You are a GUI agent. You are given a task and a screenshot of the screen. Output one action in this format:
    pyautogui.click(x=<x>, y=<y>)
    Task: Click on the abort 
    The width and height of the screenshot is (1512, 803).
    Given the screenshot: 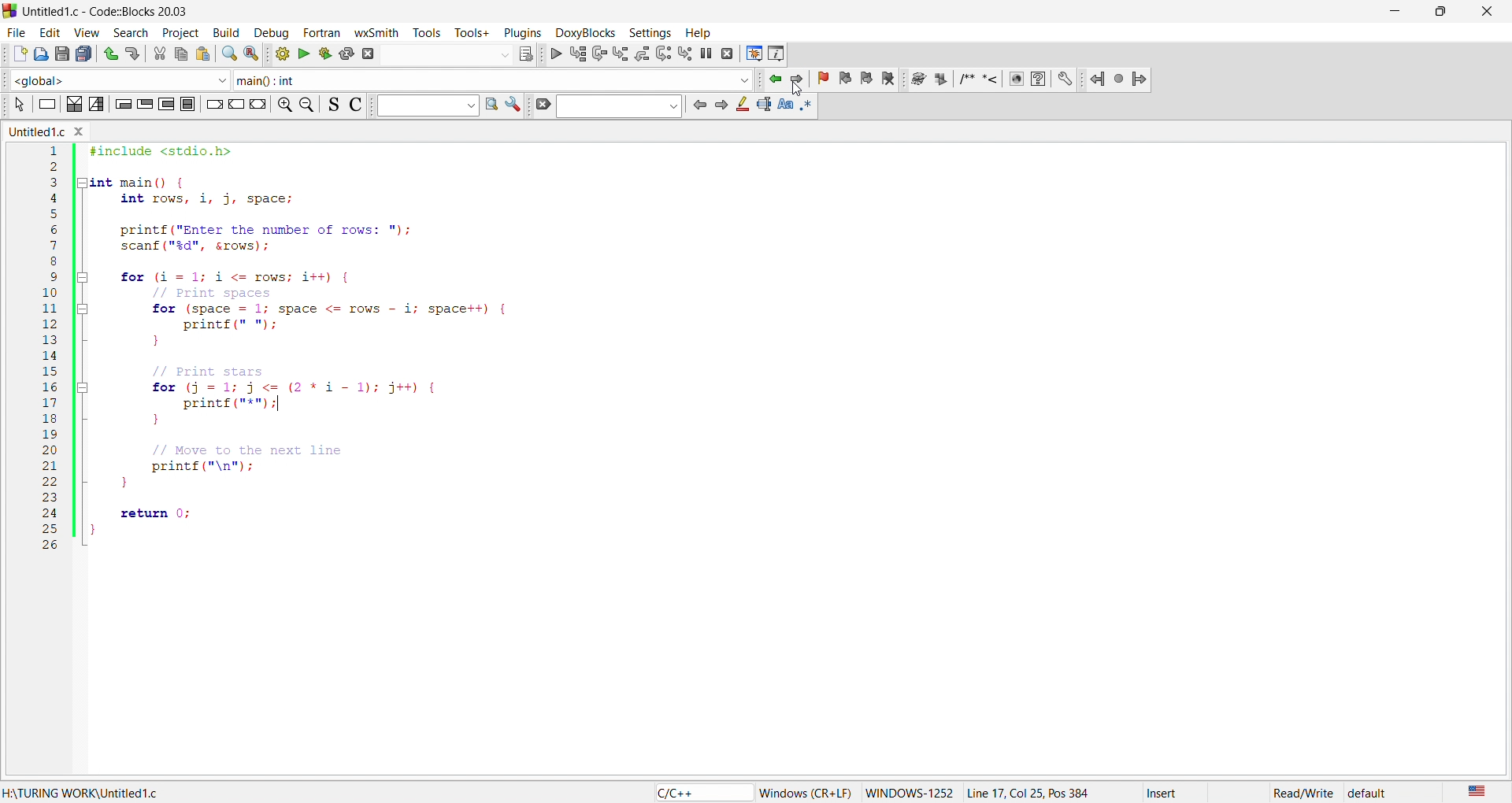 What is the action you would take?
    pyautogui.click(x=371, y=54)
    